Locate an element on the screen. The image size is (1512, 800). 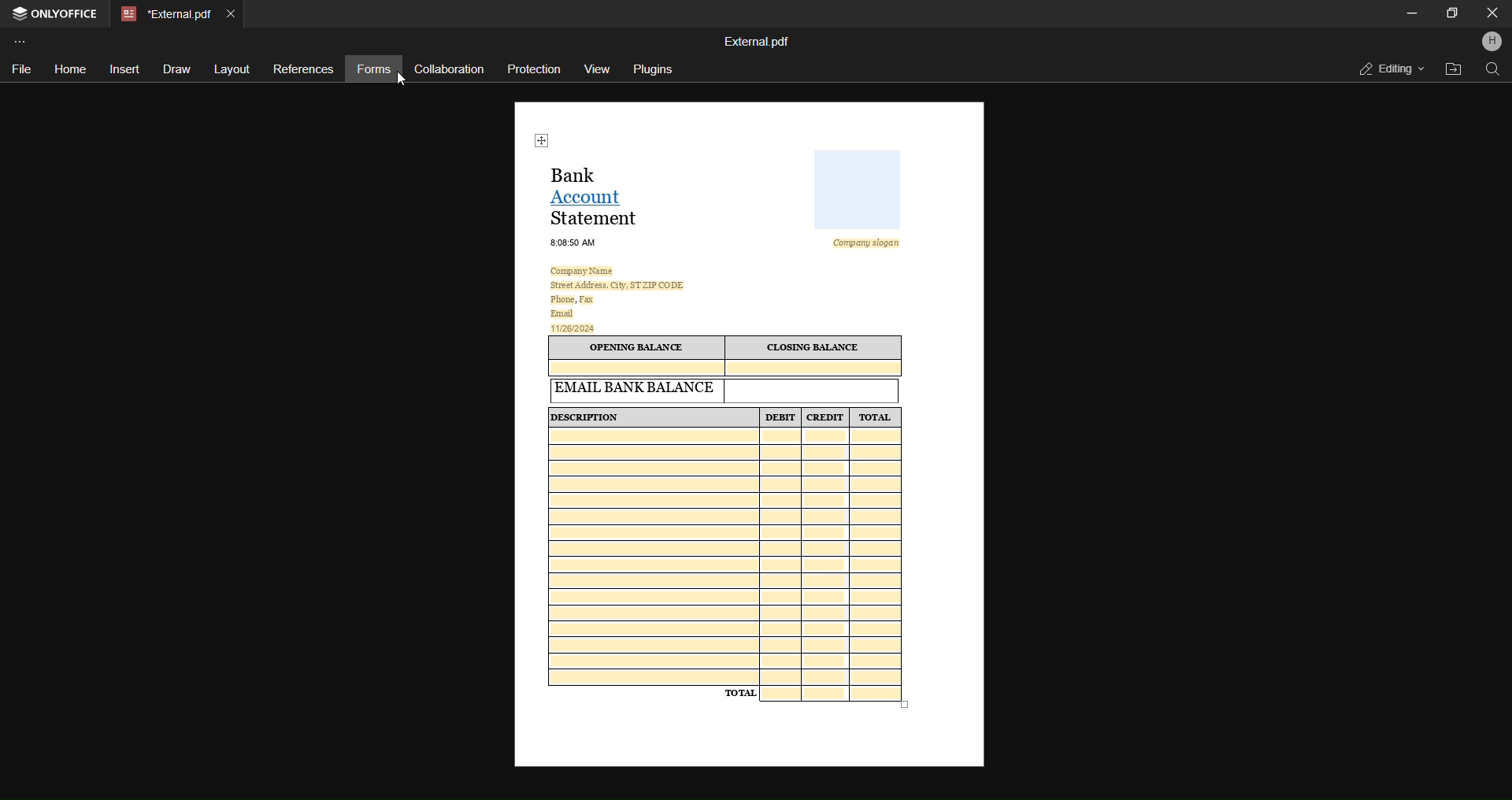
open office tab is located at coordinates (59, 16).